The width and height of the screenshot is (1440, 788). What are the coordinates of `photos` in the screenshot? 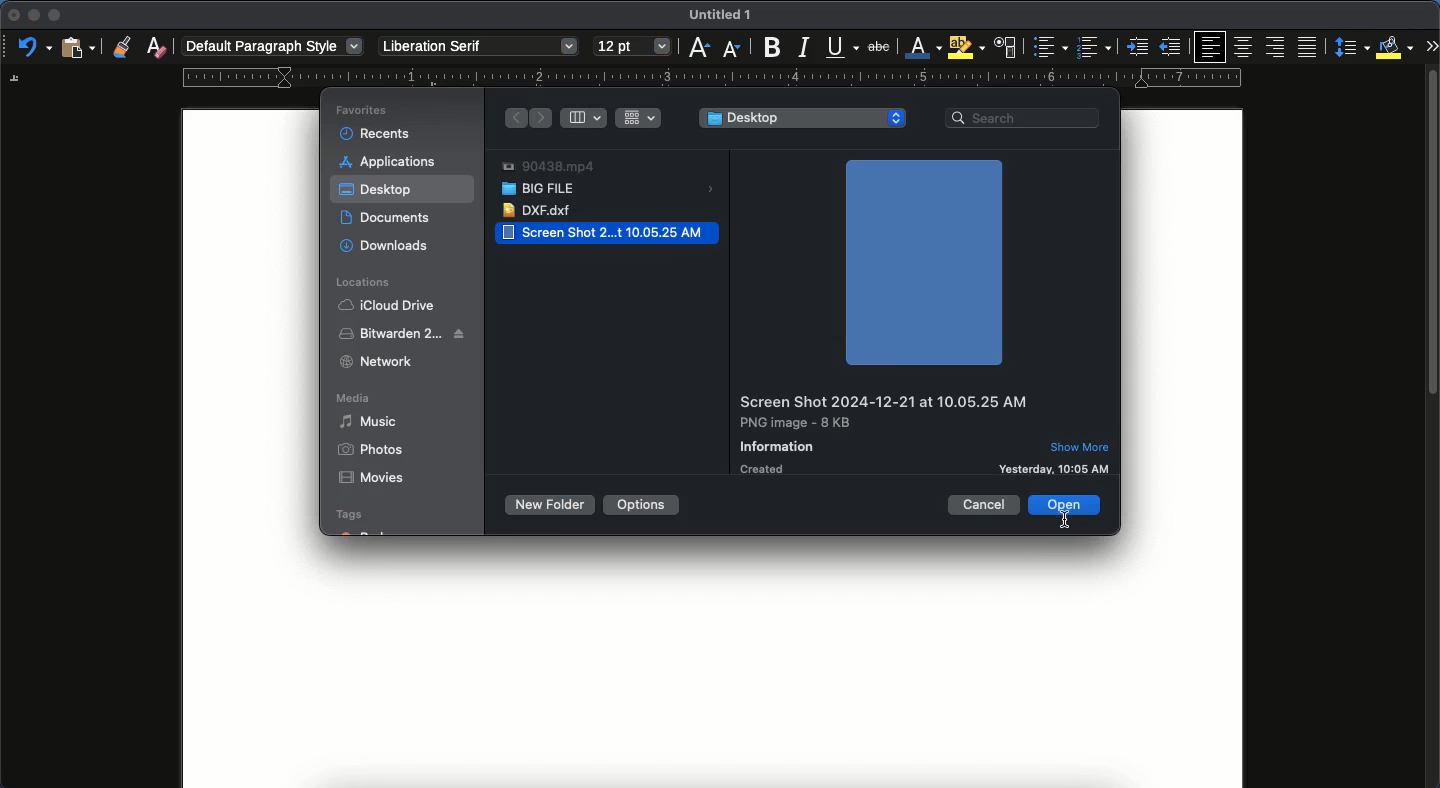 It's located at (371, 450).